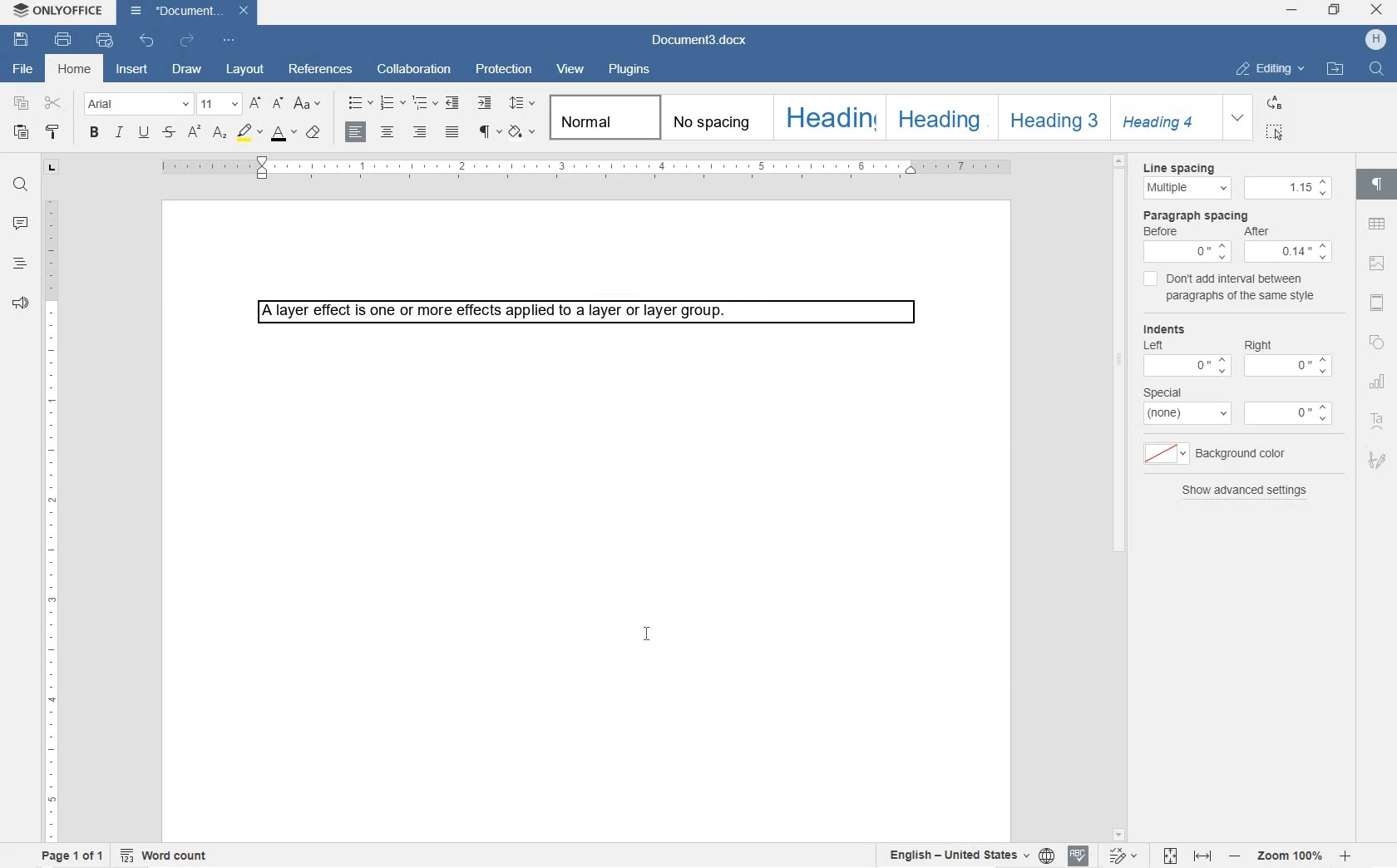 This screenshot has height=868, width=1397. I want to click on SAVE, so click(22, 40).